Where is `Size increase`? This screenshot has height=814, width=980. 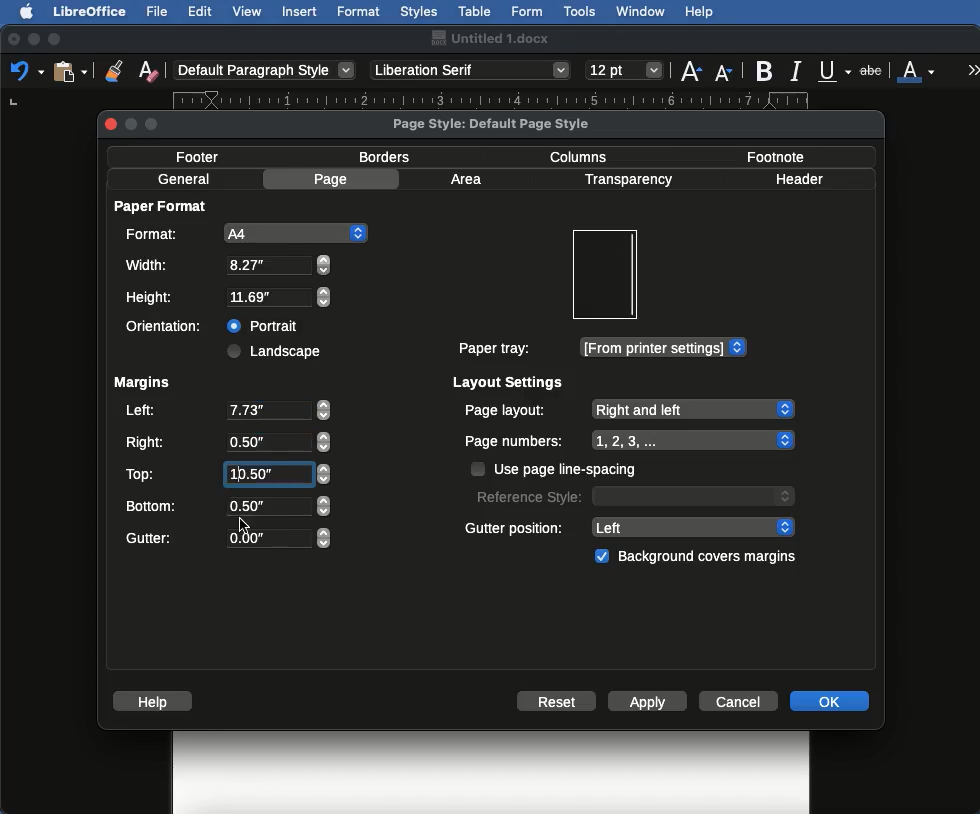 Size increase is located at coordinates (690, 69).